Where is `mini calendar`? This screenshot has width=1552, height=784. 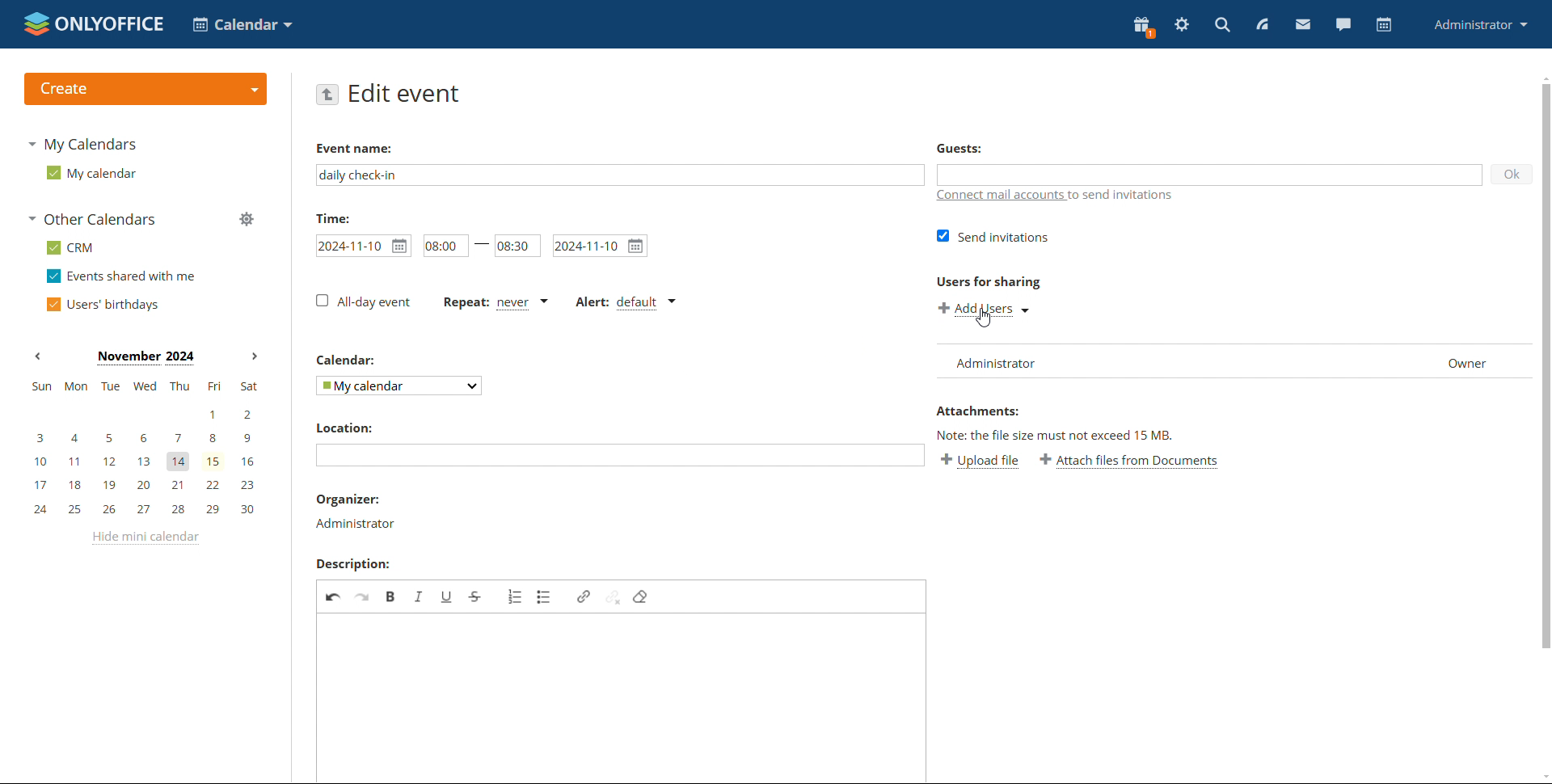
mini calendar is located at coordinates (144, 449).